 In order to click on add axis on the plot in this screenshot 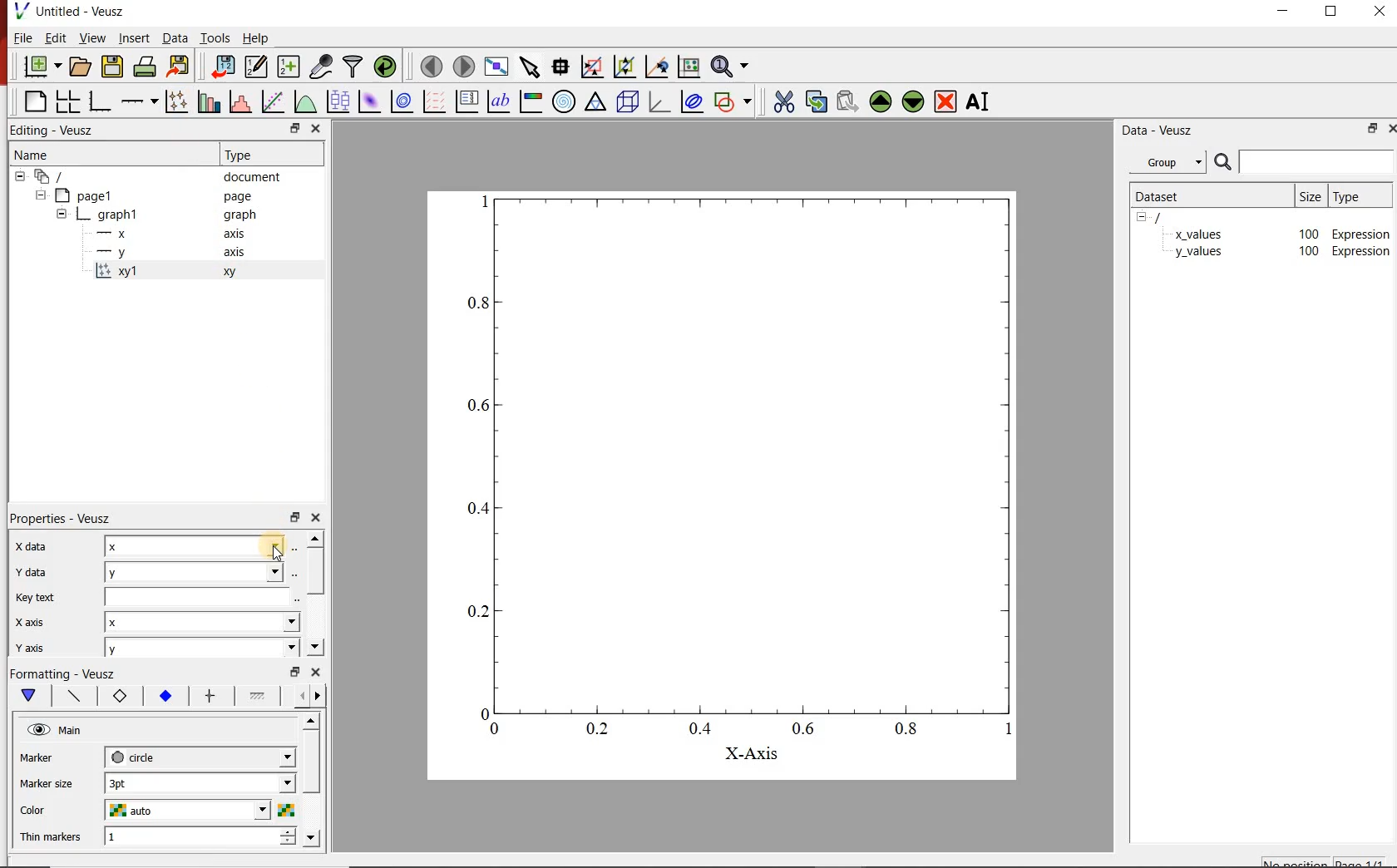, I will do `click(140, 101)`.